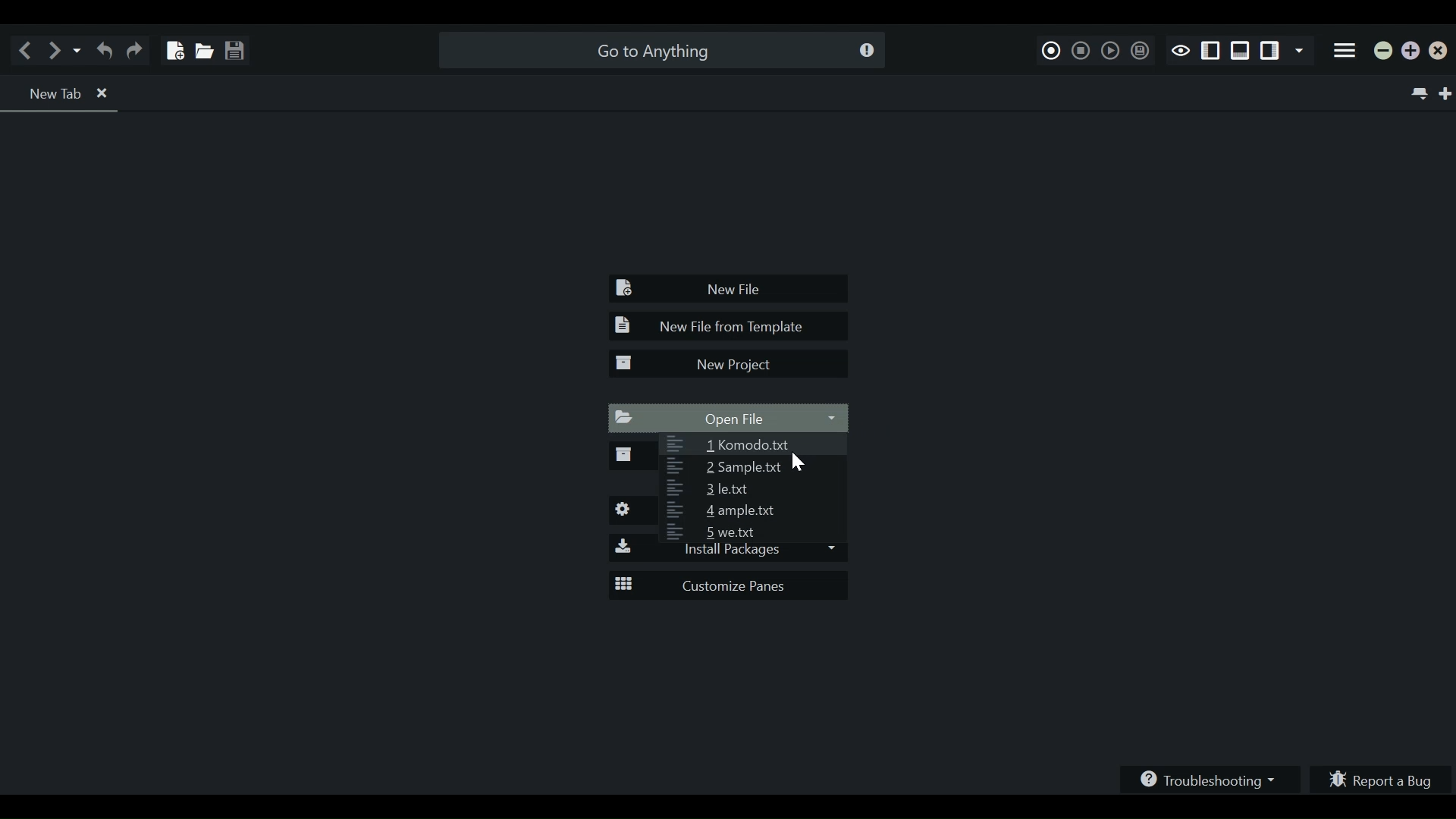 The image size is (1456, 819). I want to click on Troubleshooting, so click(1212, 777).